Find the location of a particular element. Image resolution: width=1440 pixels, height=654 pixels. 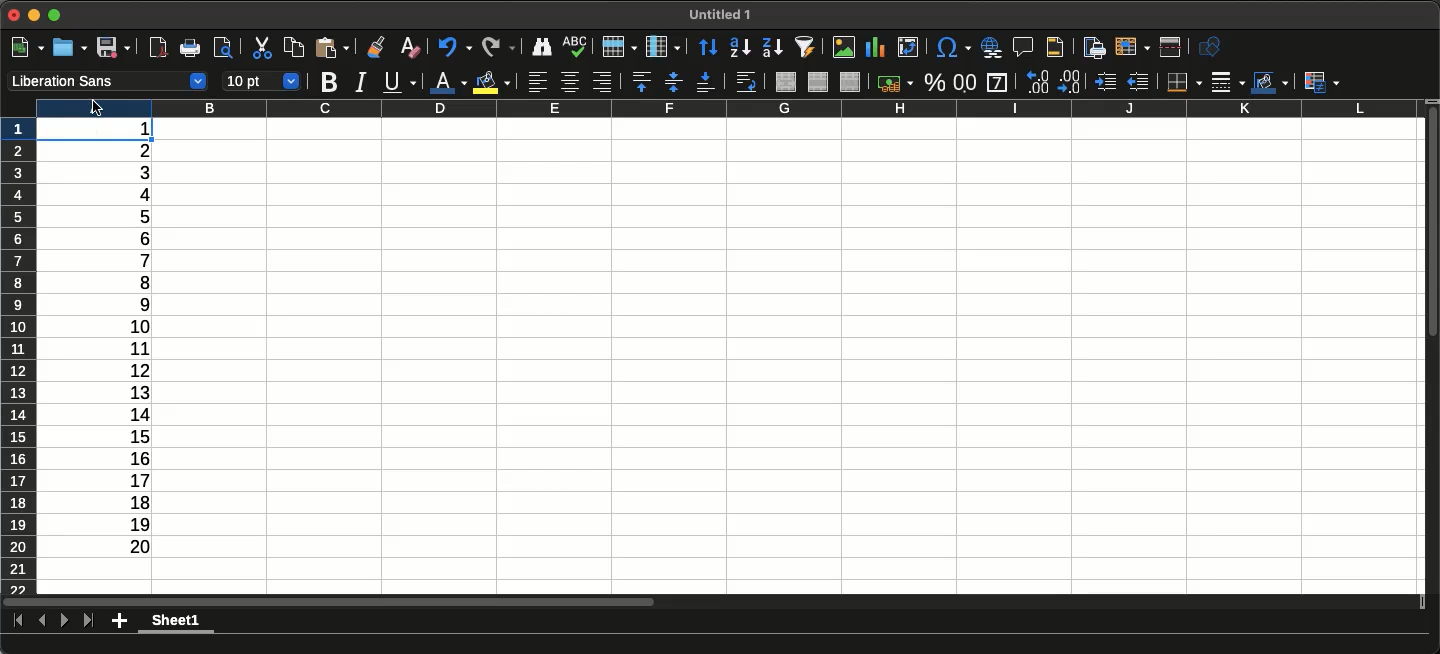

Close is located at coordinates (16, 16).